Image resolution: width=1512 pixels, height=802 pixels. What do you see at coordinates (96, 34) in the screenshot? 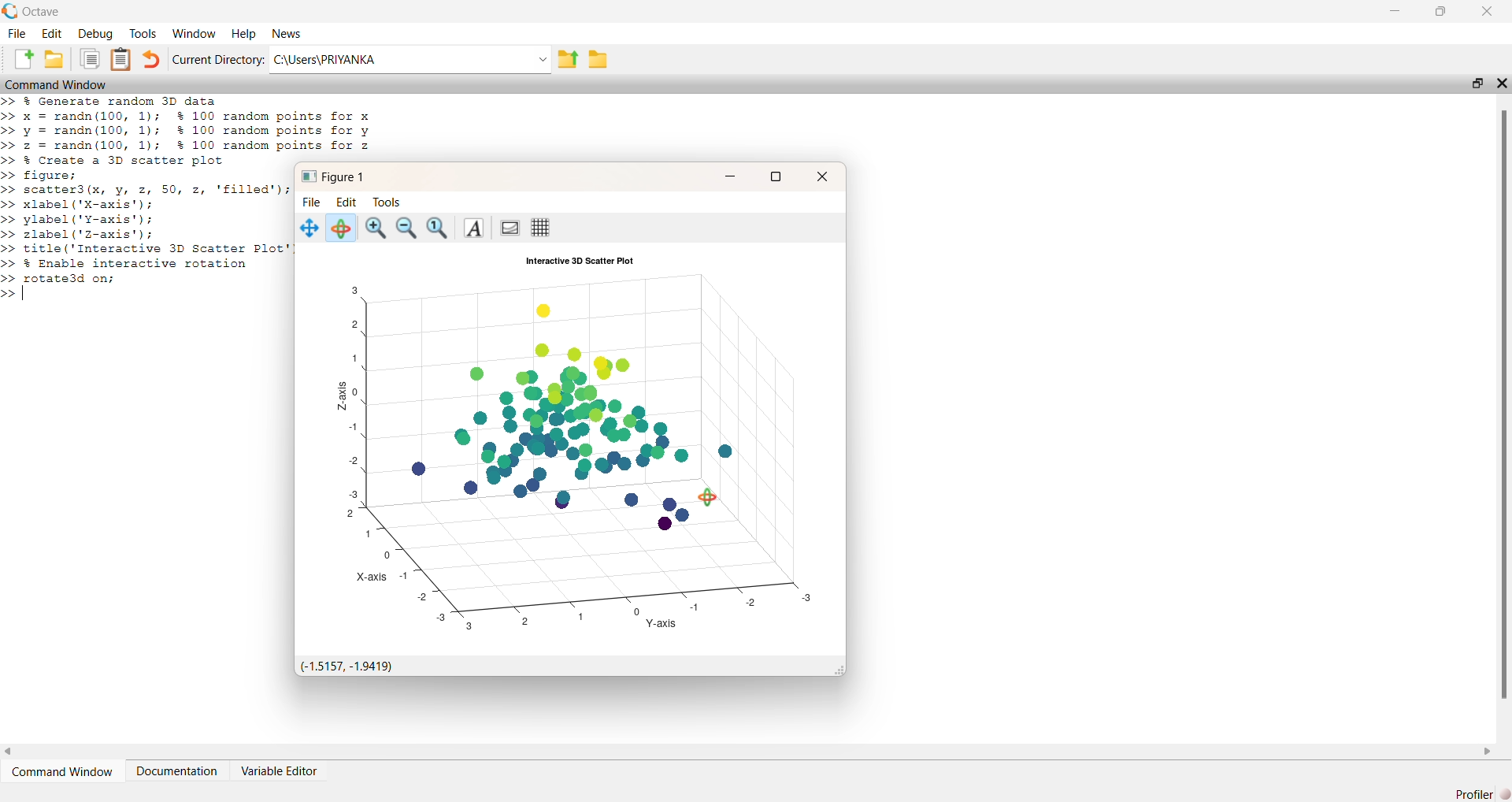
I see `Debug` at bounding box center [96, 34].